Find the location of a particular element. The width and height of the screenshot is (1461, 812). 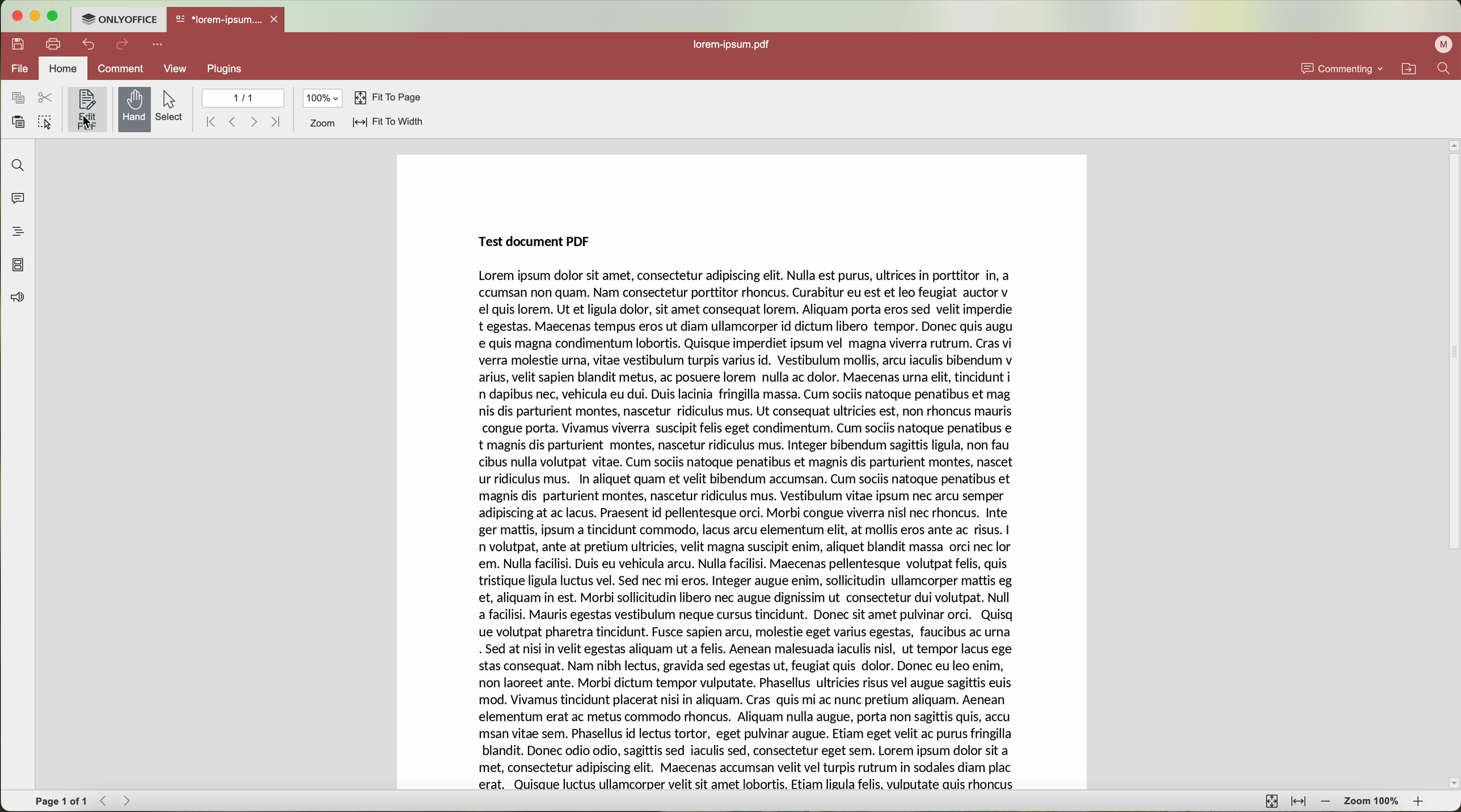

select all is located at coordinates (47, 124).